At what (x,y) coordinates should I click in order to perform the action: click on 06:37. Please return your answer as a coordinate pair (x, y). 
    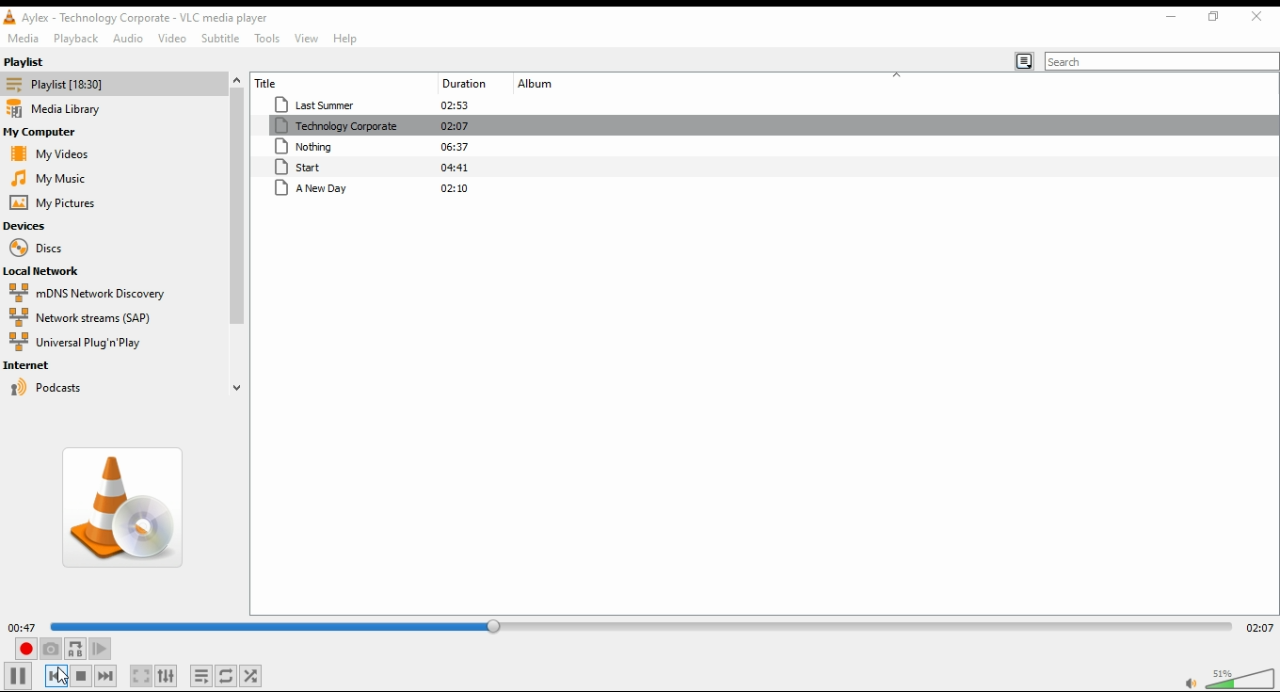
    Looking at the image, I should click on (455, 145).